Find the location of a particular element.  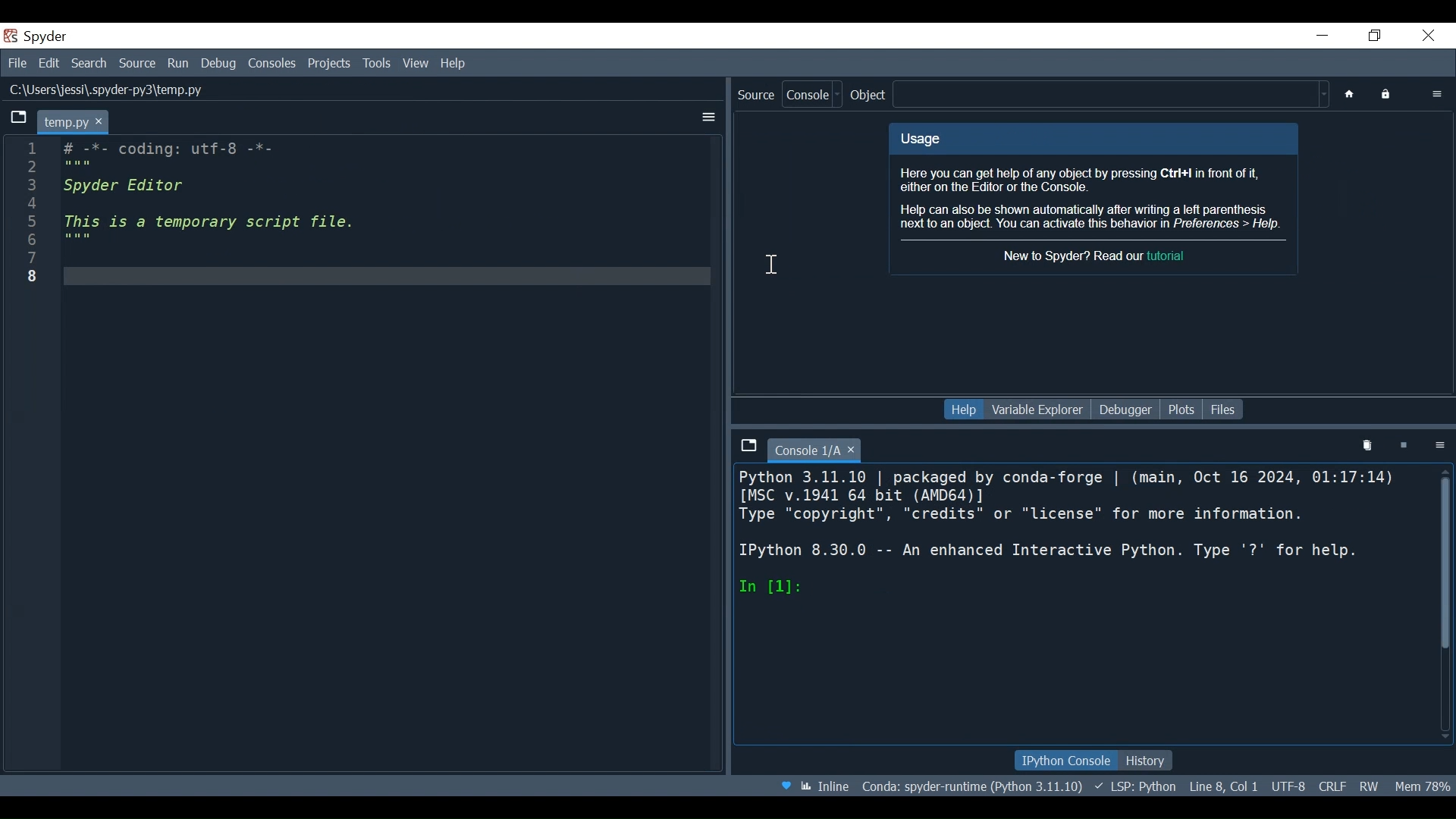

Insertion cursor is located at coordinates (769, 262).